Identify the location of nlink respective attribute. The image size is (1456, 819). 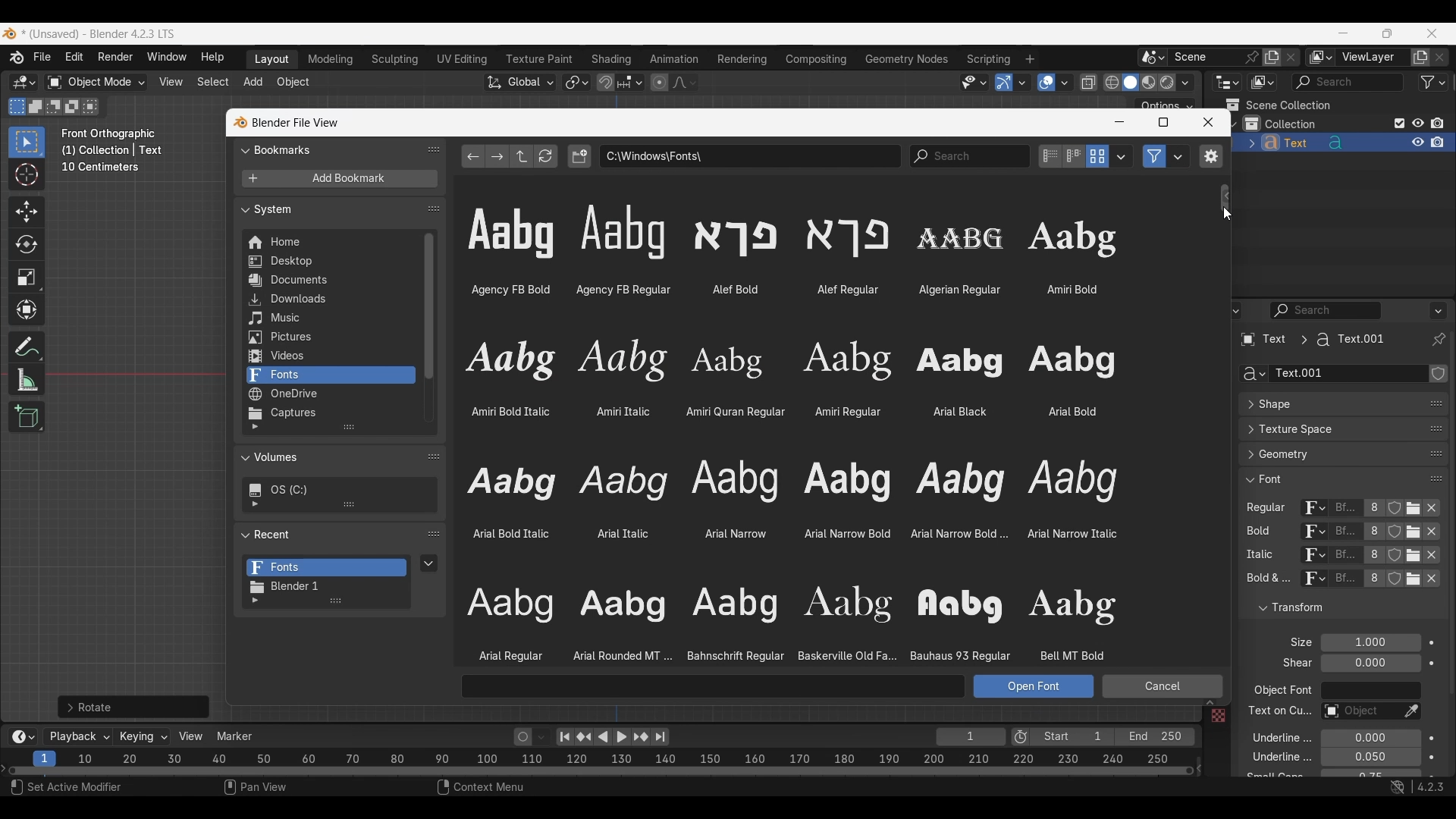
(1406, 555).